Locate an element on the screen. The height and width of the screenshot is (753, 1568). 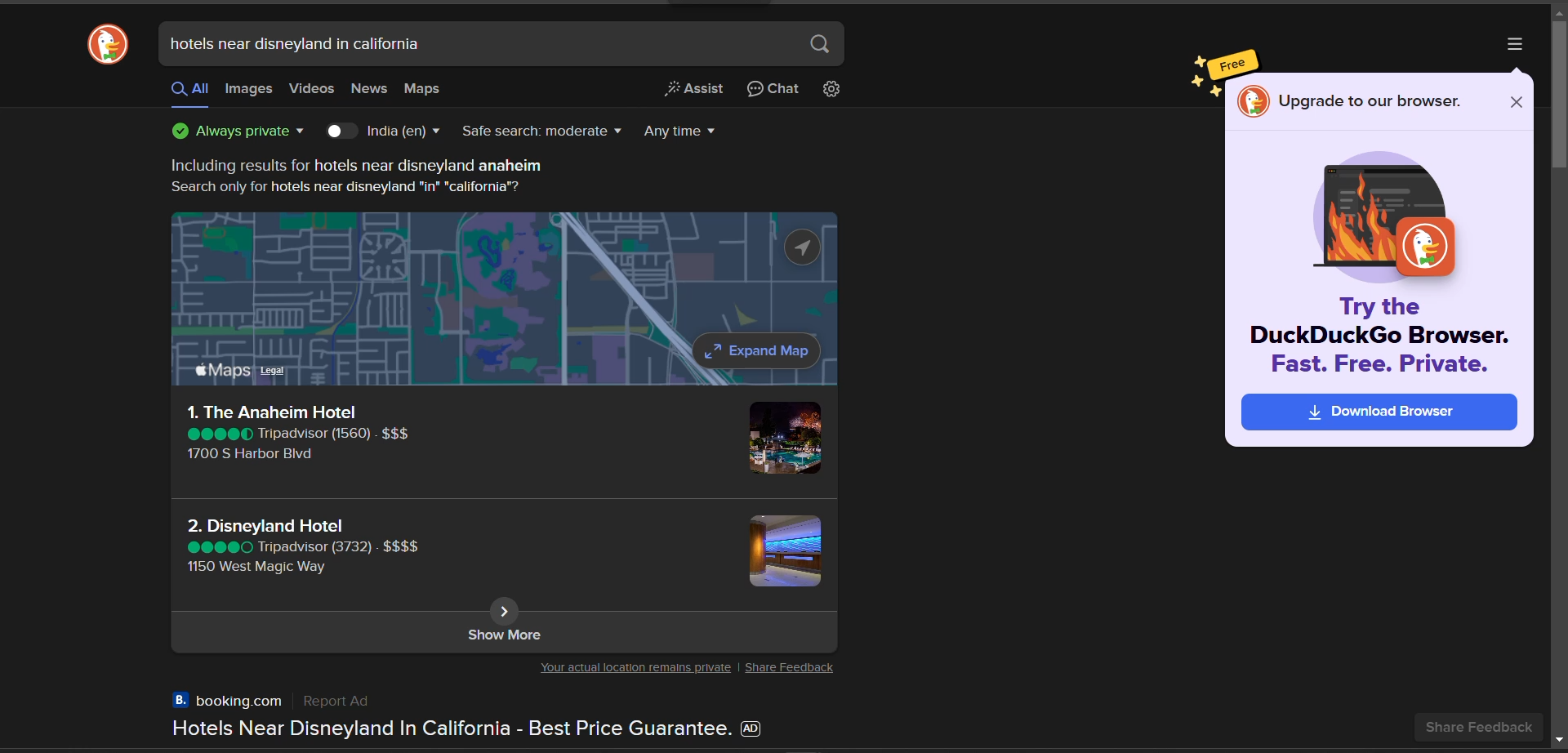
search button is located at coordinates (821, 44).